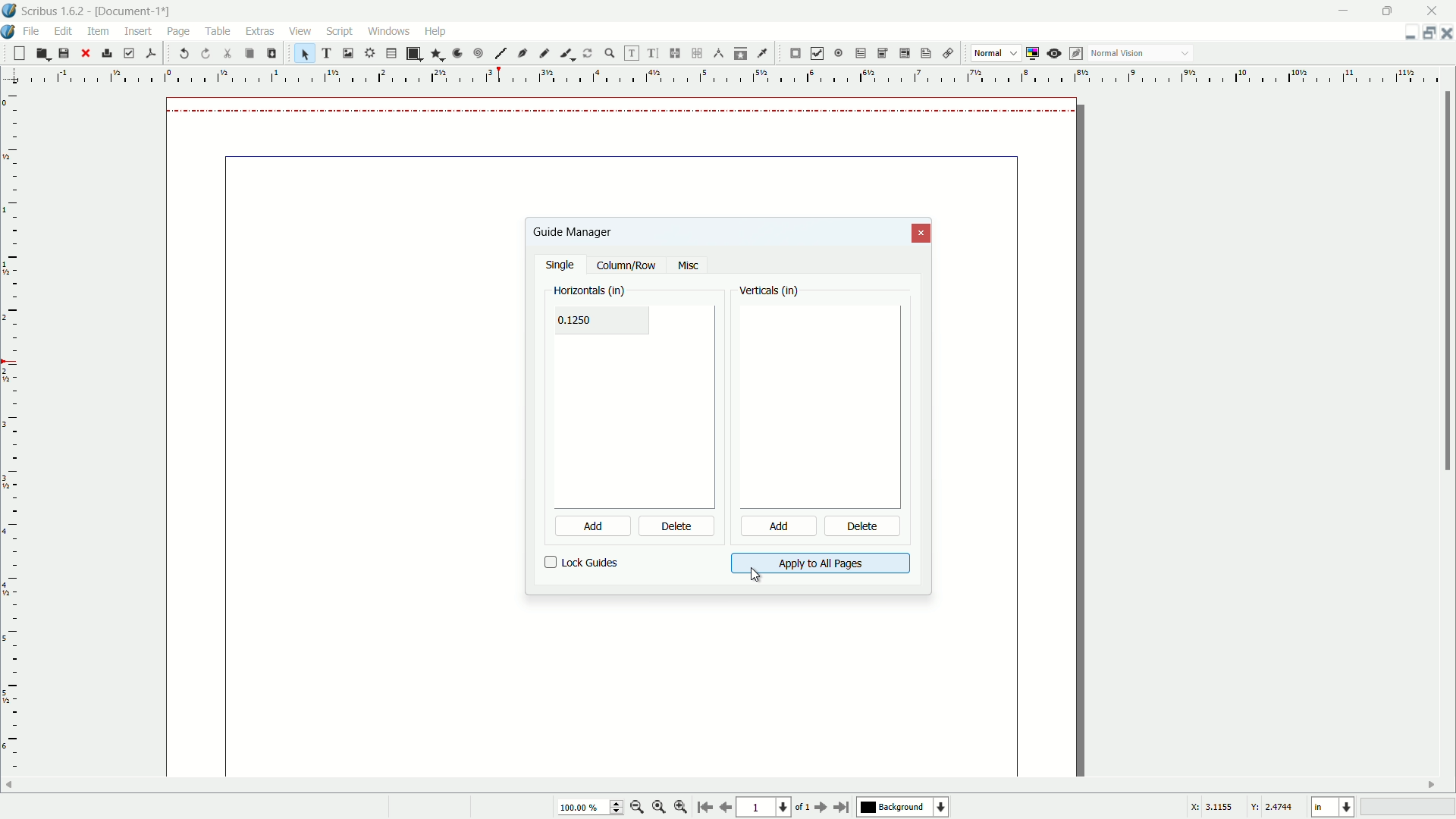 The image size is (1456, 819). I want to click on close, so click(85, 53).